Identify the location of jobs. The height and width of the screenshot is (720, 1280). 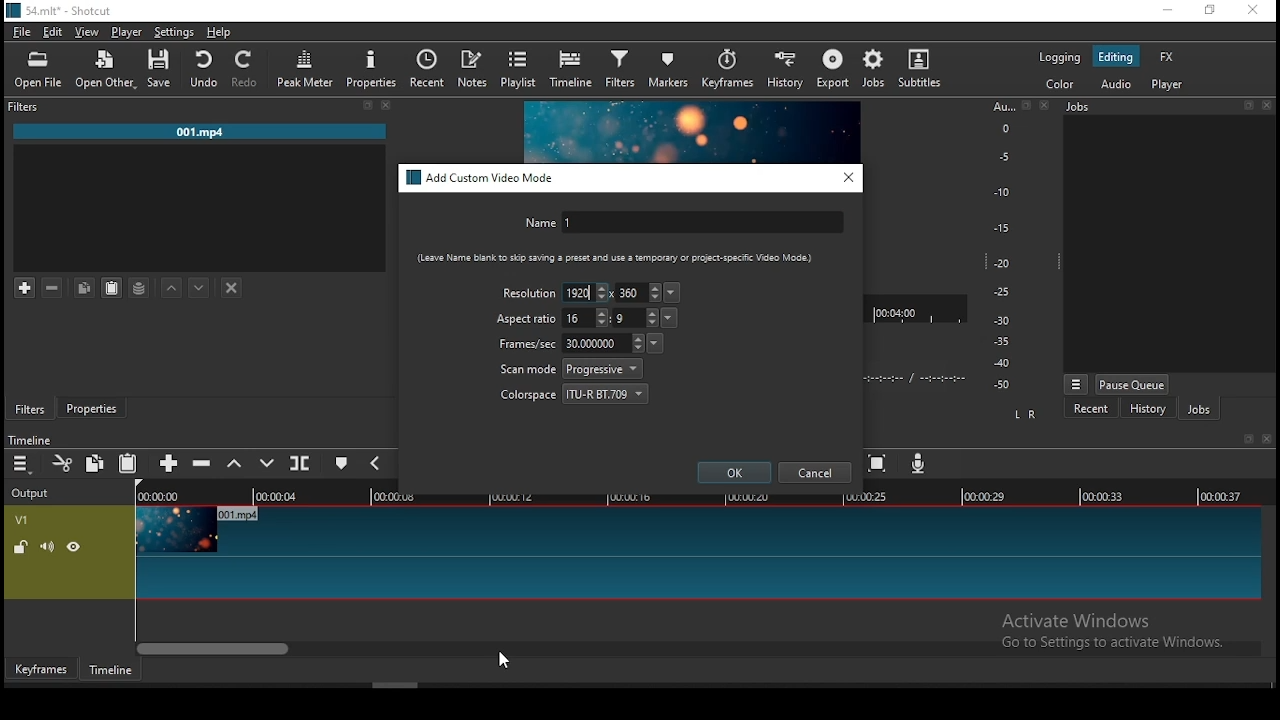
(875, 68).